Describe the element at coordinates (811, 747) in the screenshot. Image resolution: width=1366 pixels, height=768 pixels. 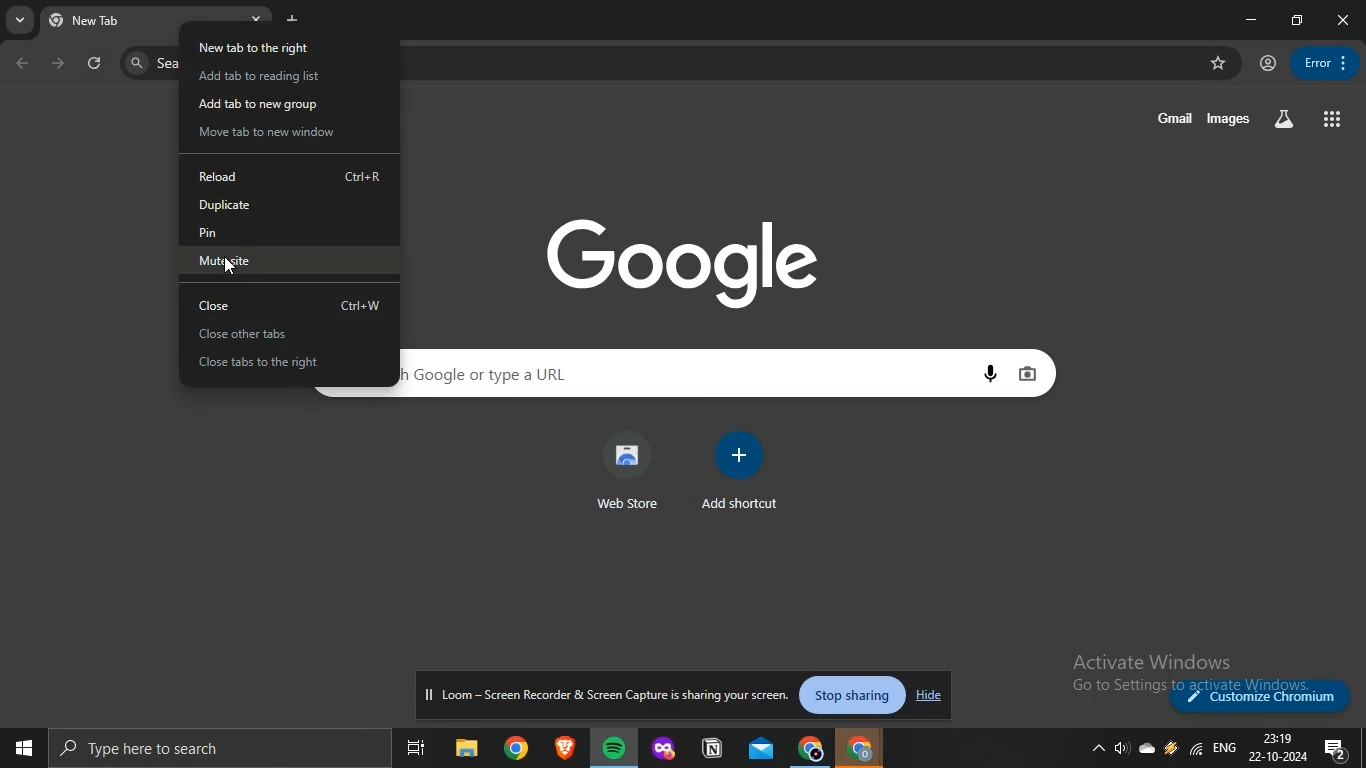
I see `google chrome` at that location.